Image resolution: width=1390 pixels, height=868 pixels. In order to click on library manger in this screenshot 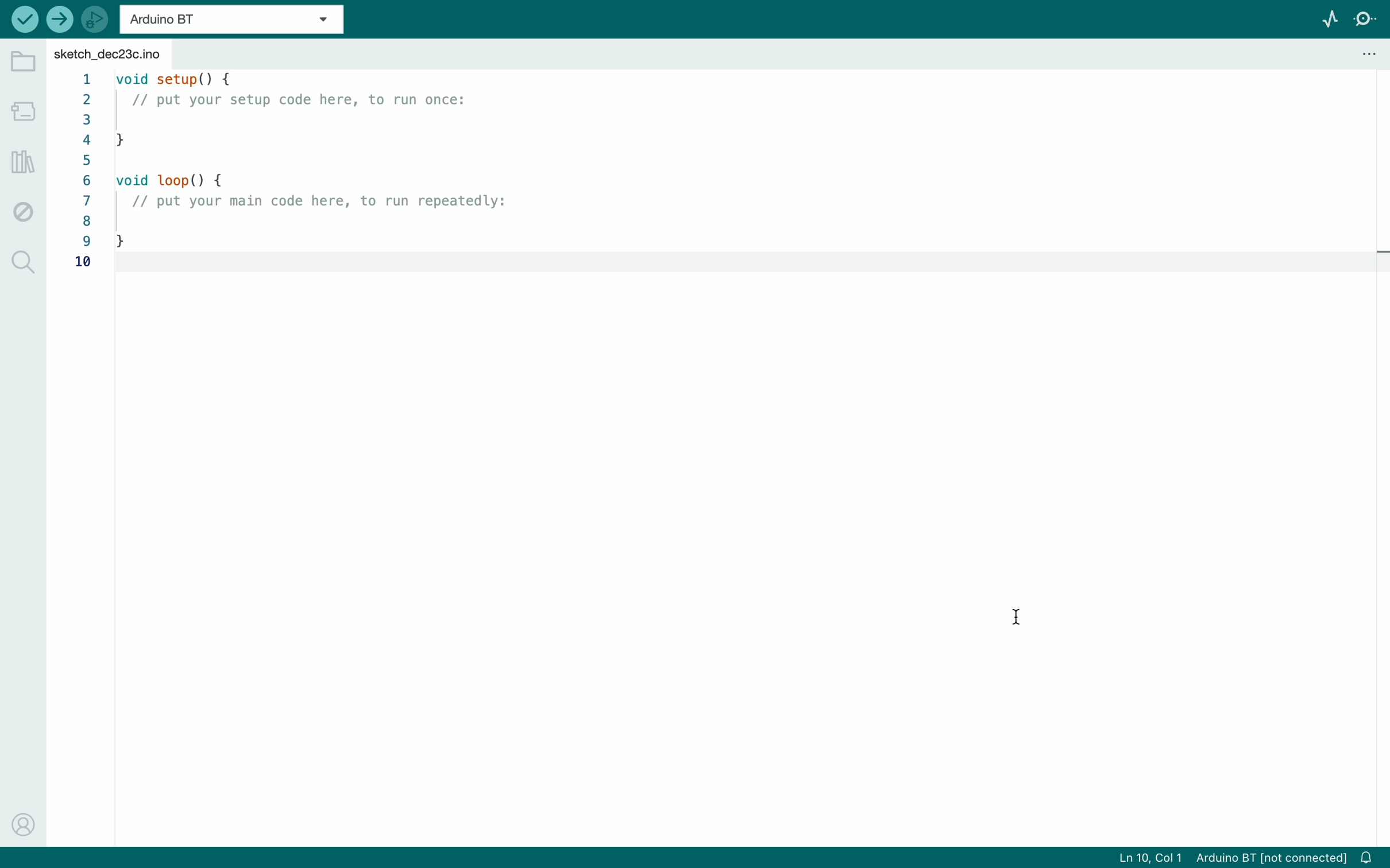, I will do `click(21, 162)`.